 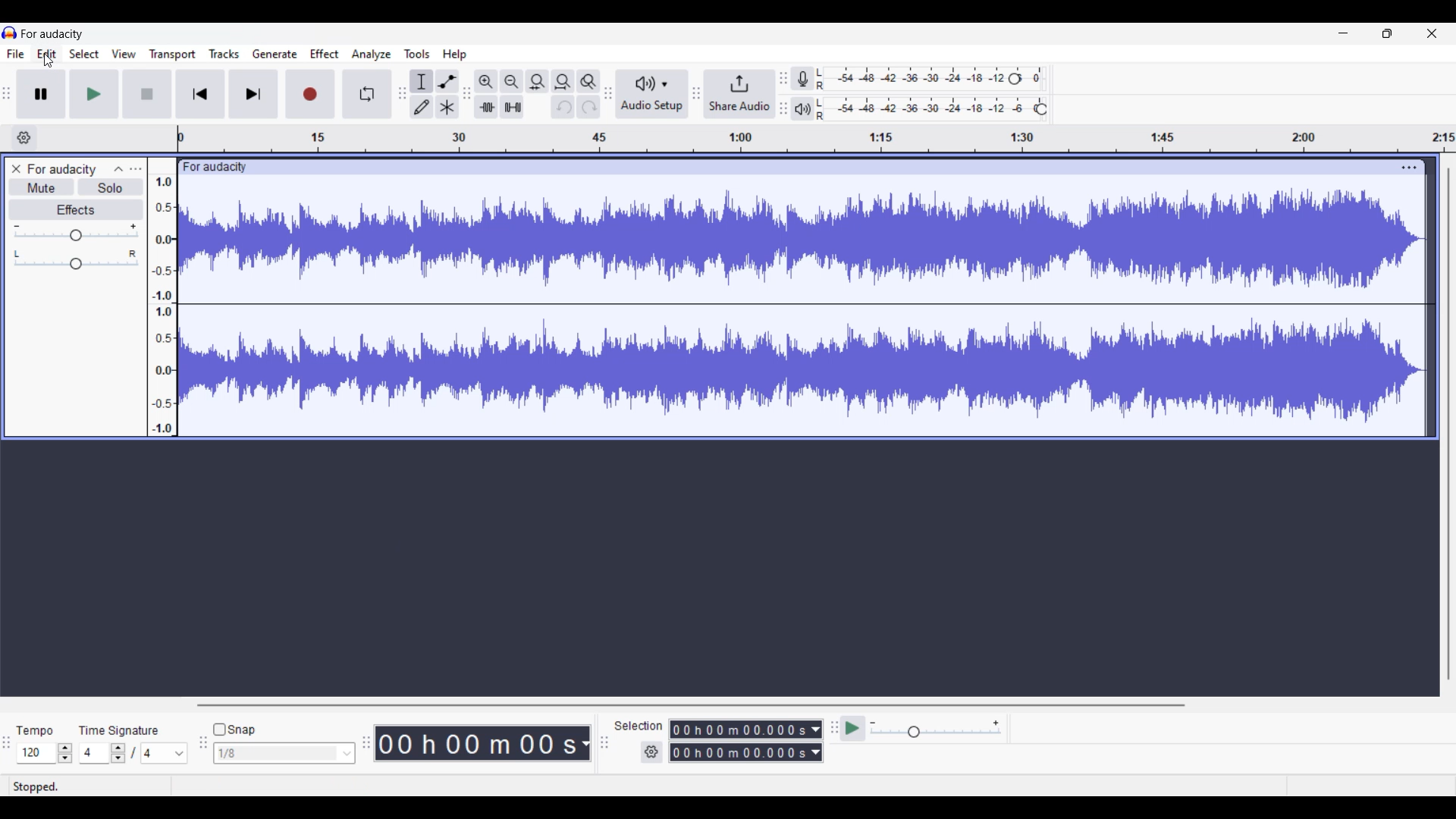 I want to click on Selection tool, so click(x=422, y=81).